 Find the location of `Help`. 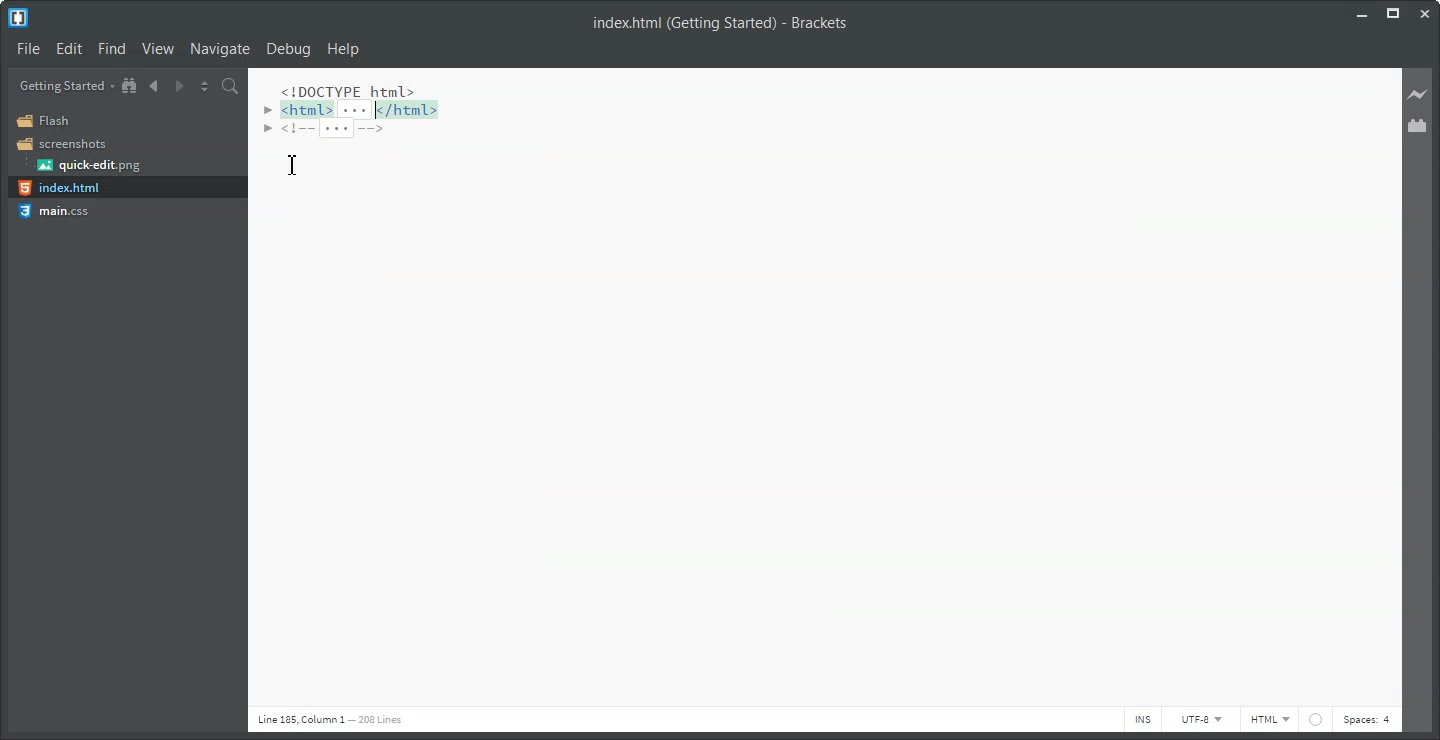

Help is located at coordinates (343, 50).